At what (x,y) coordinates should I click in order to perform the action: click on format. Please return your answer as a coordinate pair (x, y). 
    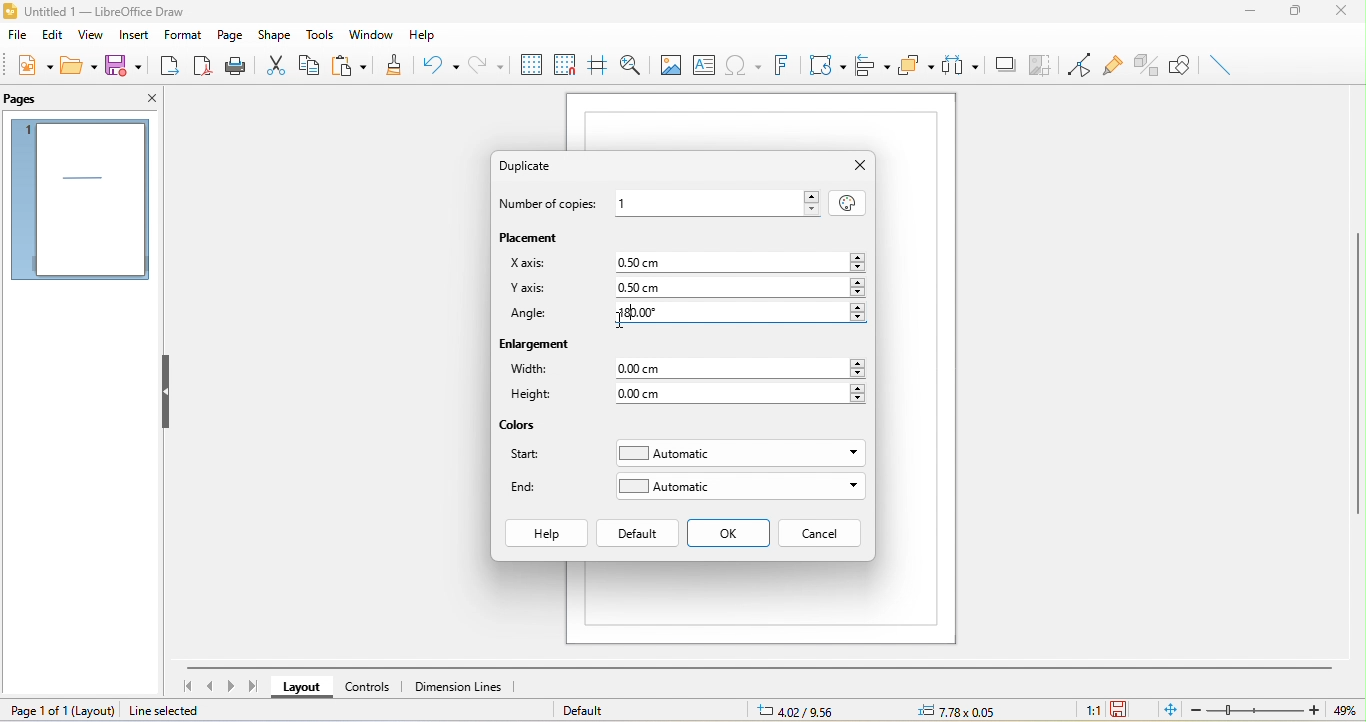
    Looking at the image, I should click on (184, 33).